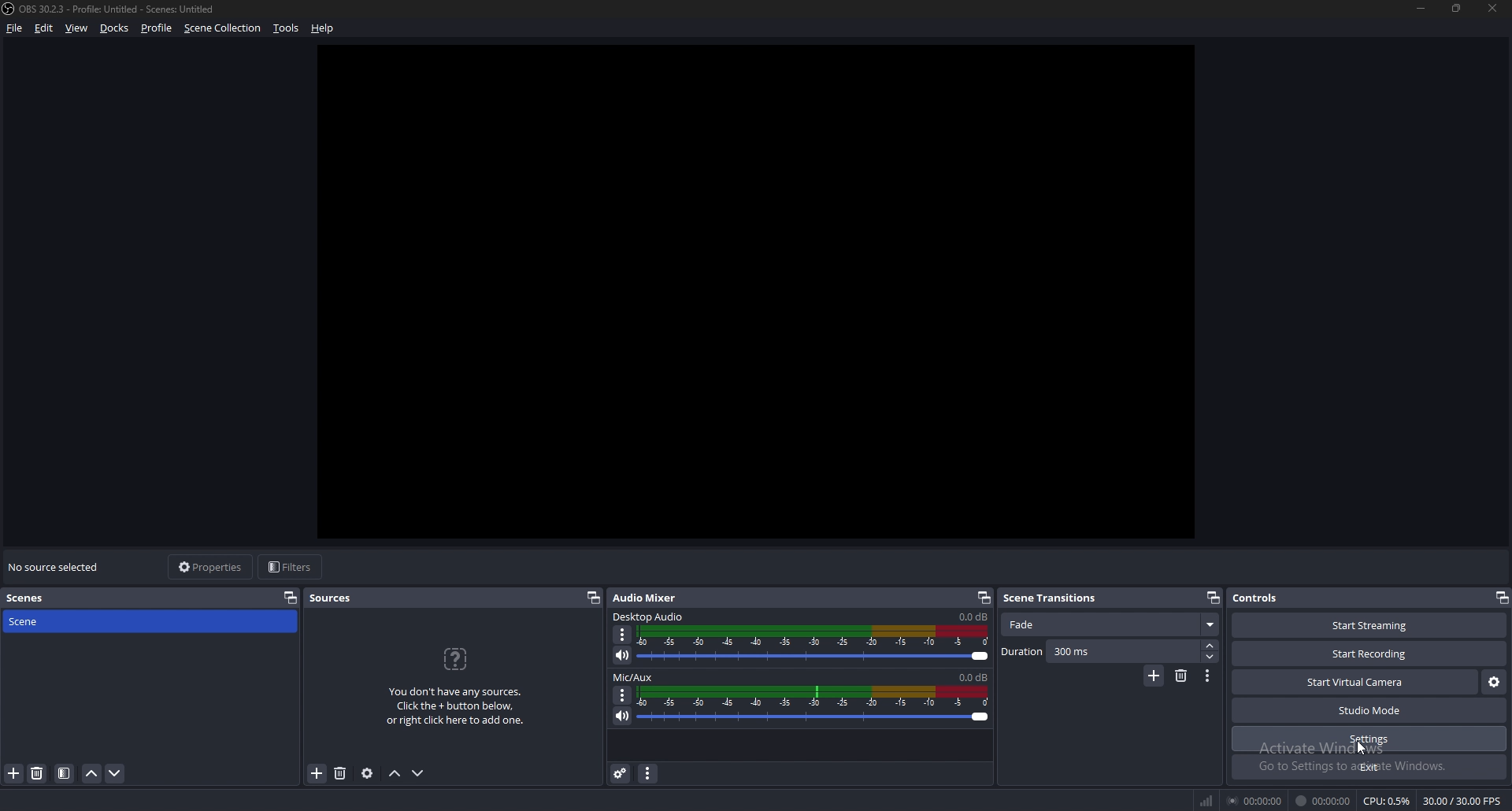 The height and width of the screenshot is (811, 1512). Describe the element at coordinates (1263, 597) in the screenshot. I see `controls` at that location.